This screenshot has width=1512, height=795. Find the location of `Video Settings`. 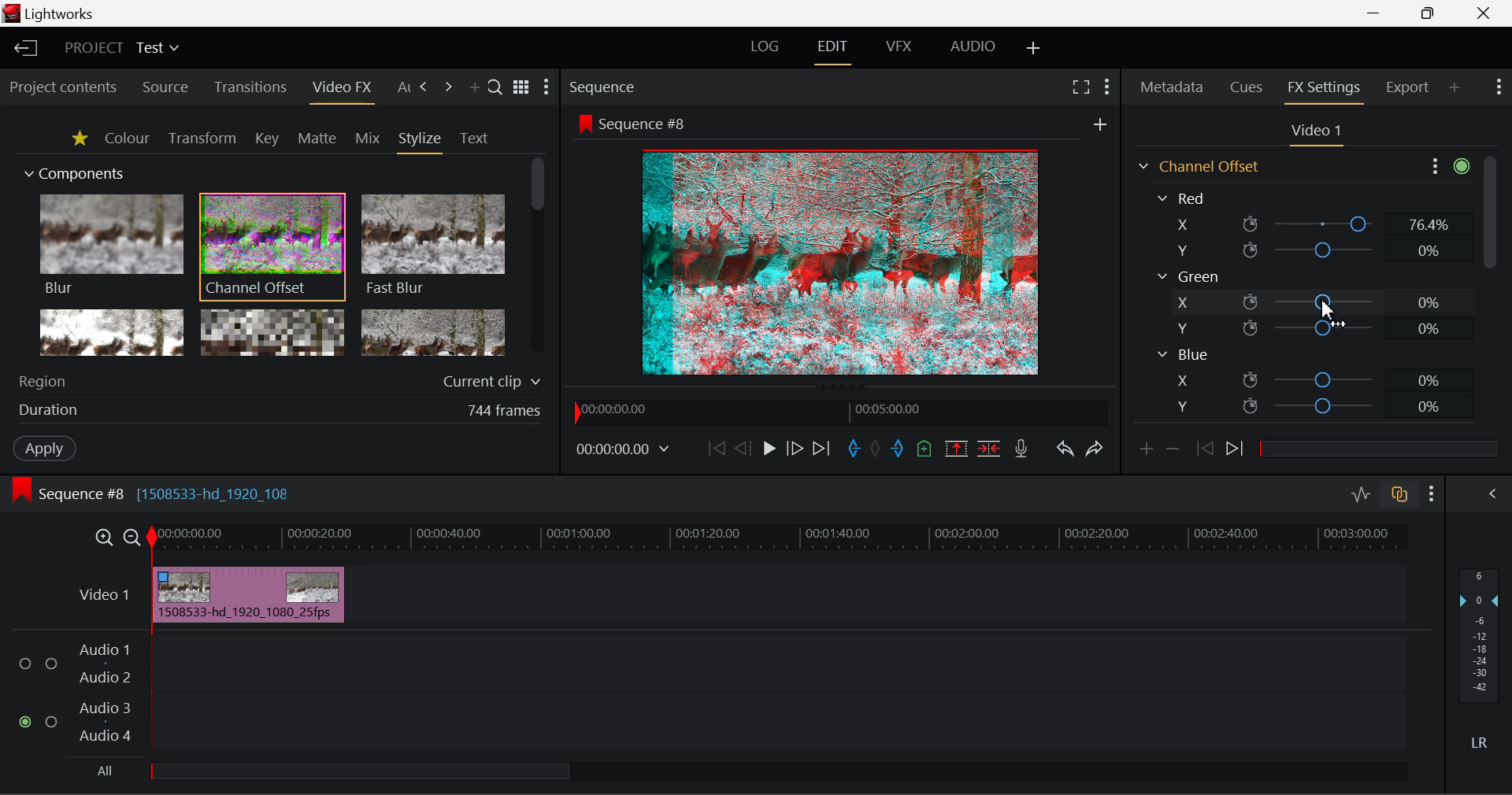

Video Settings is located at coordinates (1314, 134).